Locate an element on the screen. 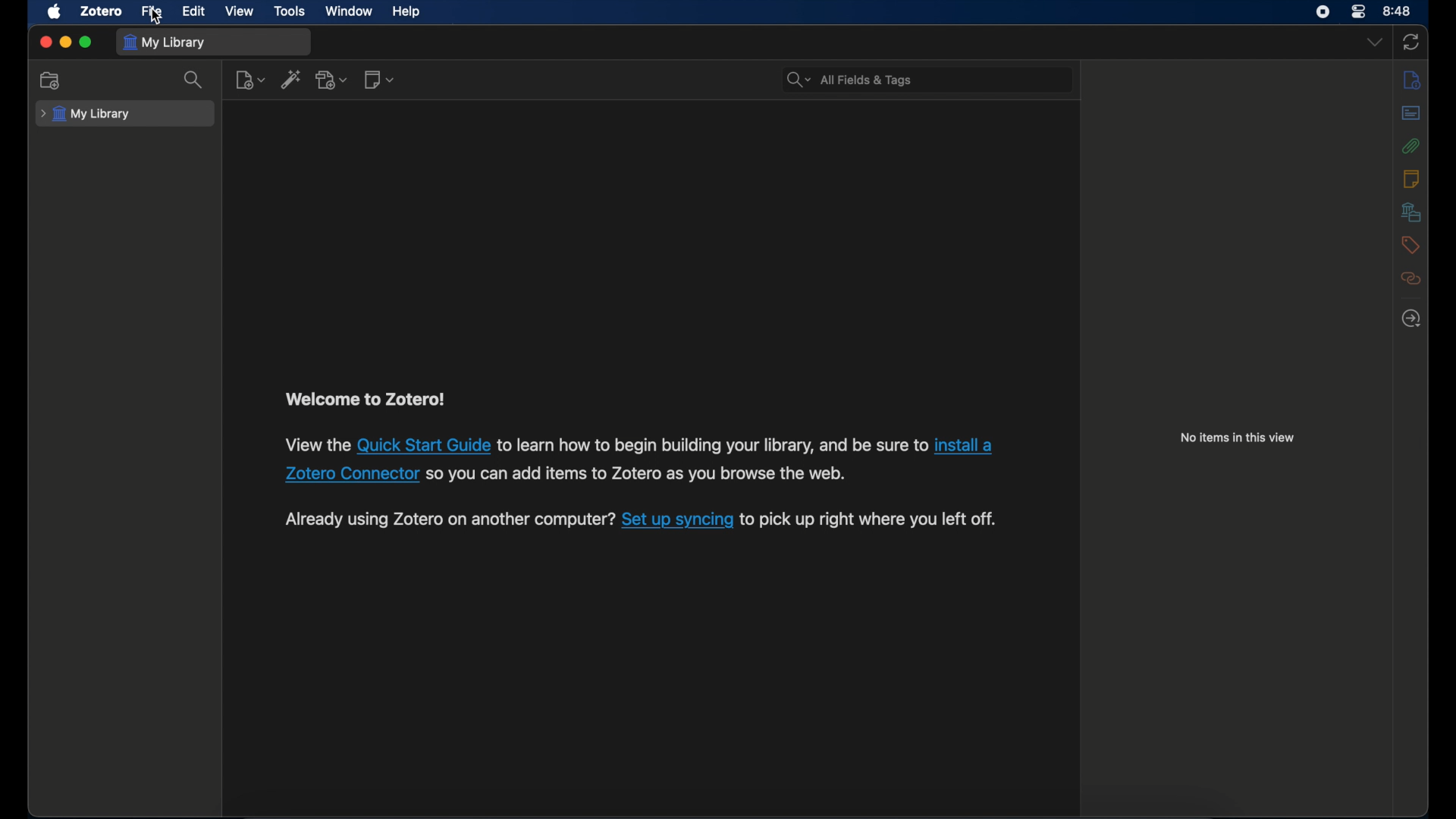  file is located at coordinates (151, 12).